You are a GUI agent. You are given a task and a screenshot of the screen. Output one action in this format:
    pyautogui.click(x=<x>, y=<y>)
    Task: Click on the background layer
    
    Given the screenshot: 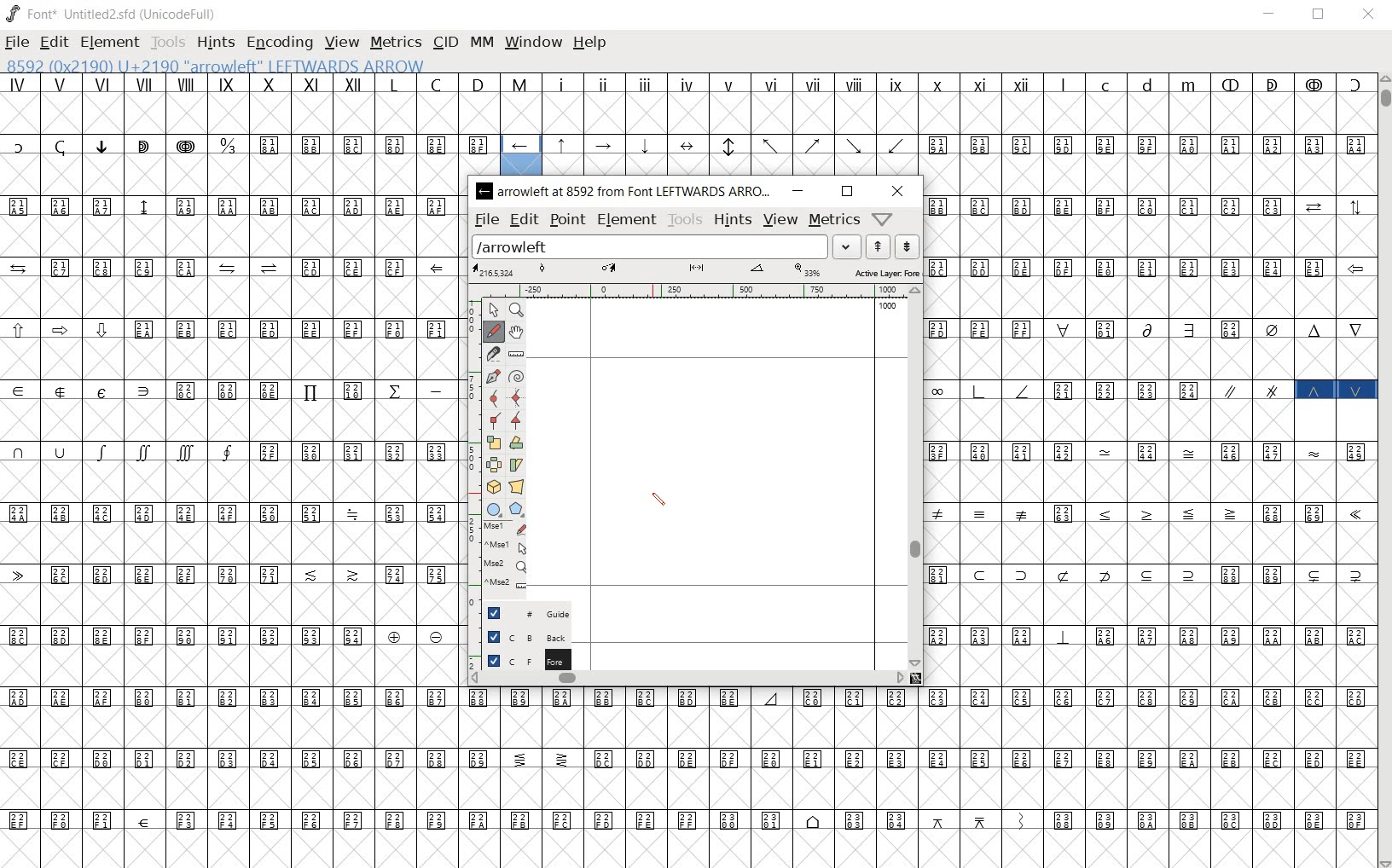 What is the action you would take?
    pyautogui.click(x=522, y=637)
    